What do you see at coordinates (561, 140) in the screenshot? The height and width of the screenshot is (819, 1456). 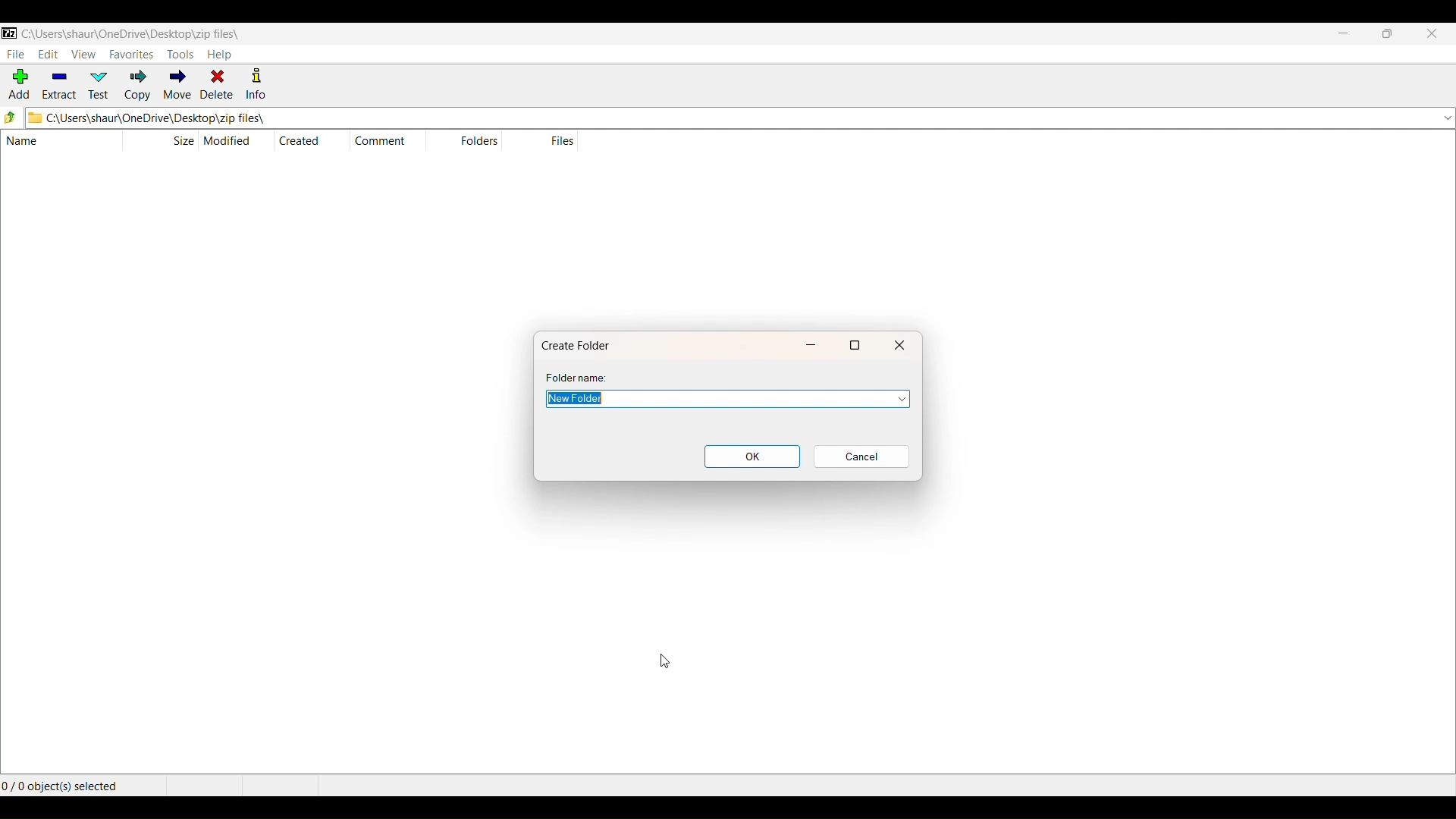 I see `FILES` at bounding box center [561, 140].